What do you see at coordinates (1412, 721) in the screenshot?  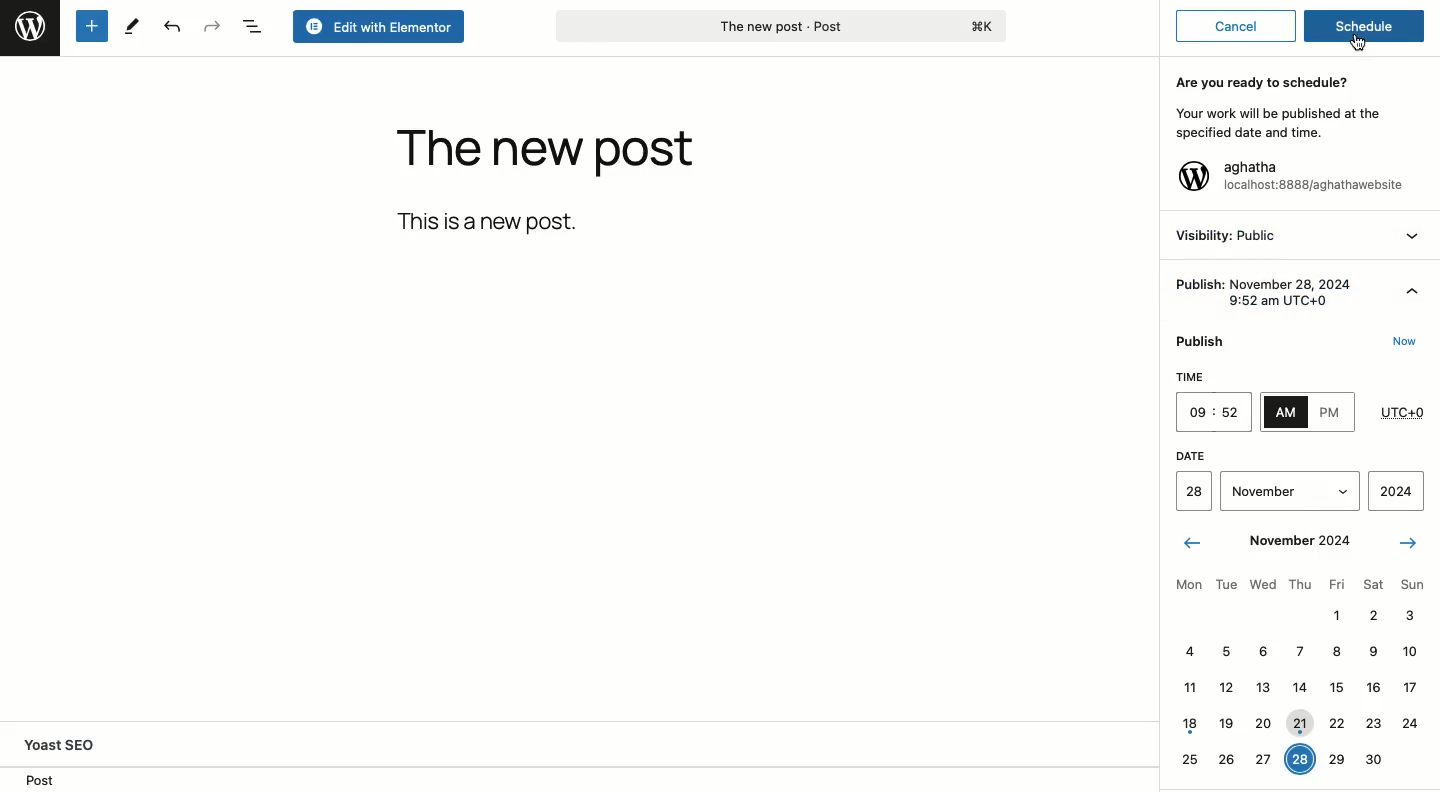 I see `24` at bounding box center [1412, 721].